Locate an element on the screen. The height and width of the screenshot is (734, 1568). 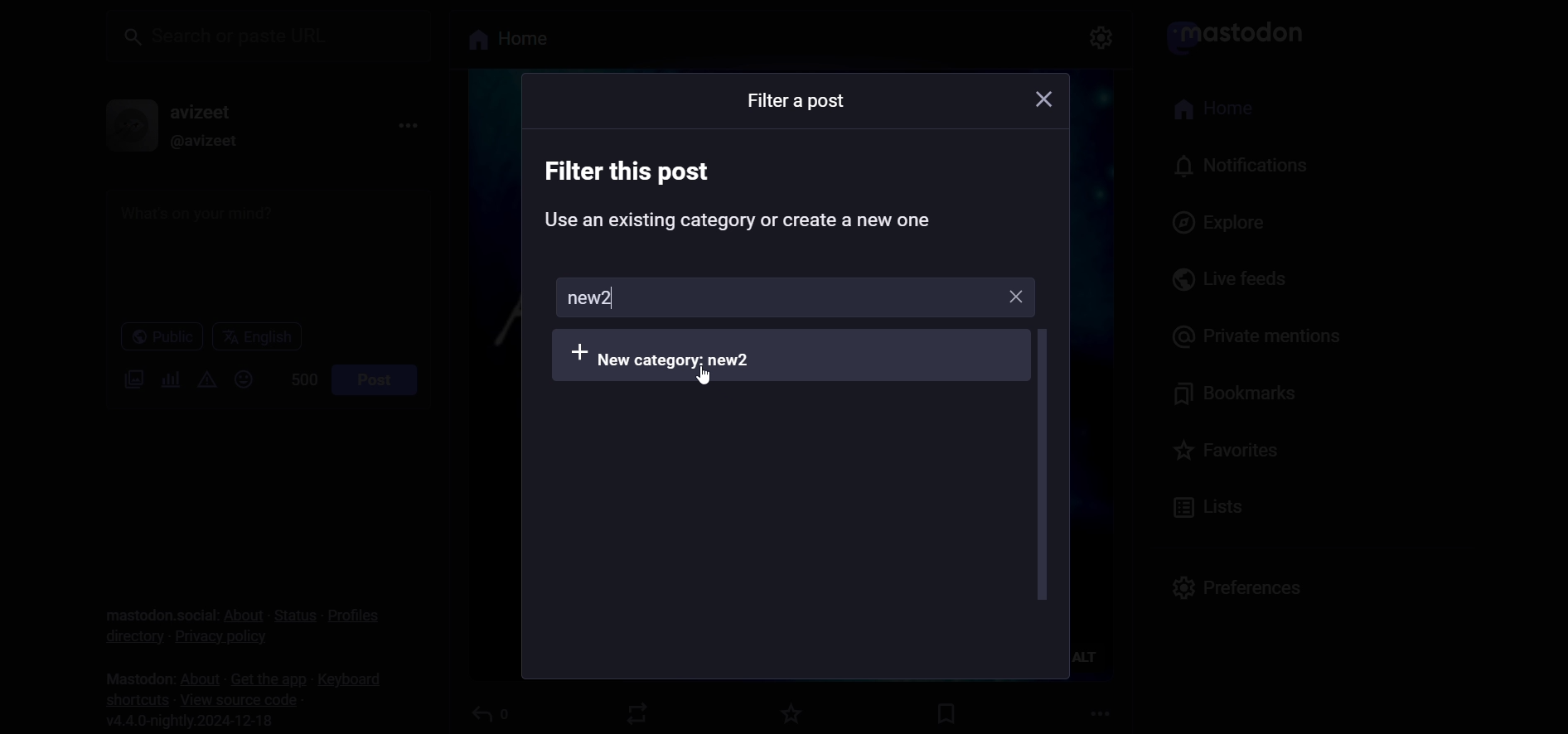
Close is located at coordinates (1017, 298).